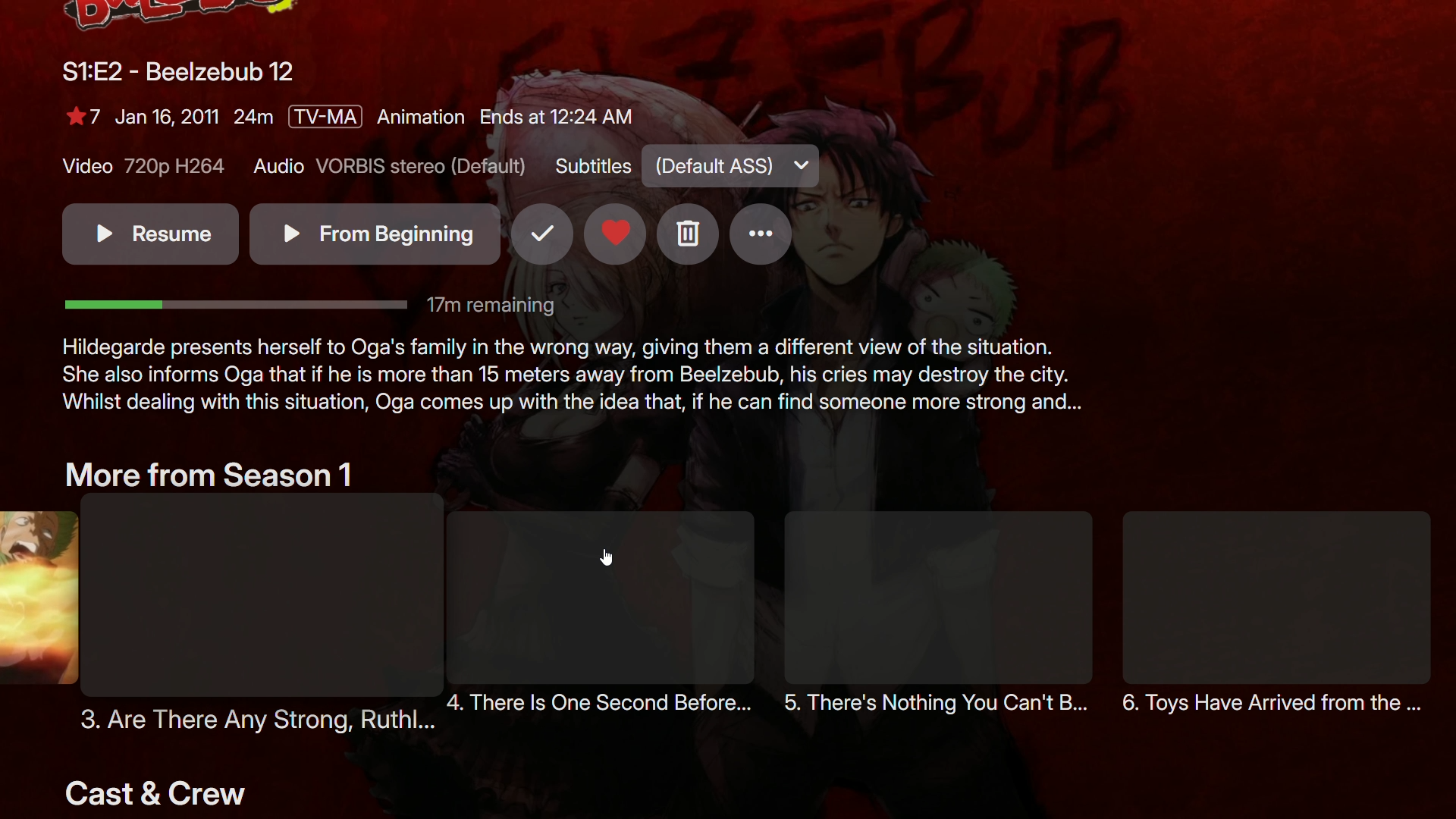 Image resolution: width=1456 pixels, height=819 pixels. Describe the element at coordinates (686, 165) in the screenshot. I see `Subtitles` at that location.